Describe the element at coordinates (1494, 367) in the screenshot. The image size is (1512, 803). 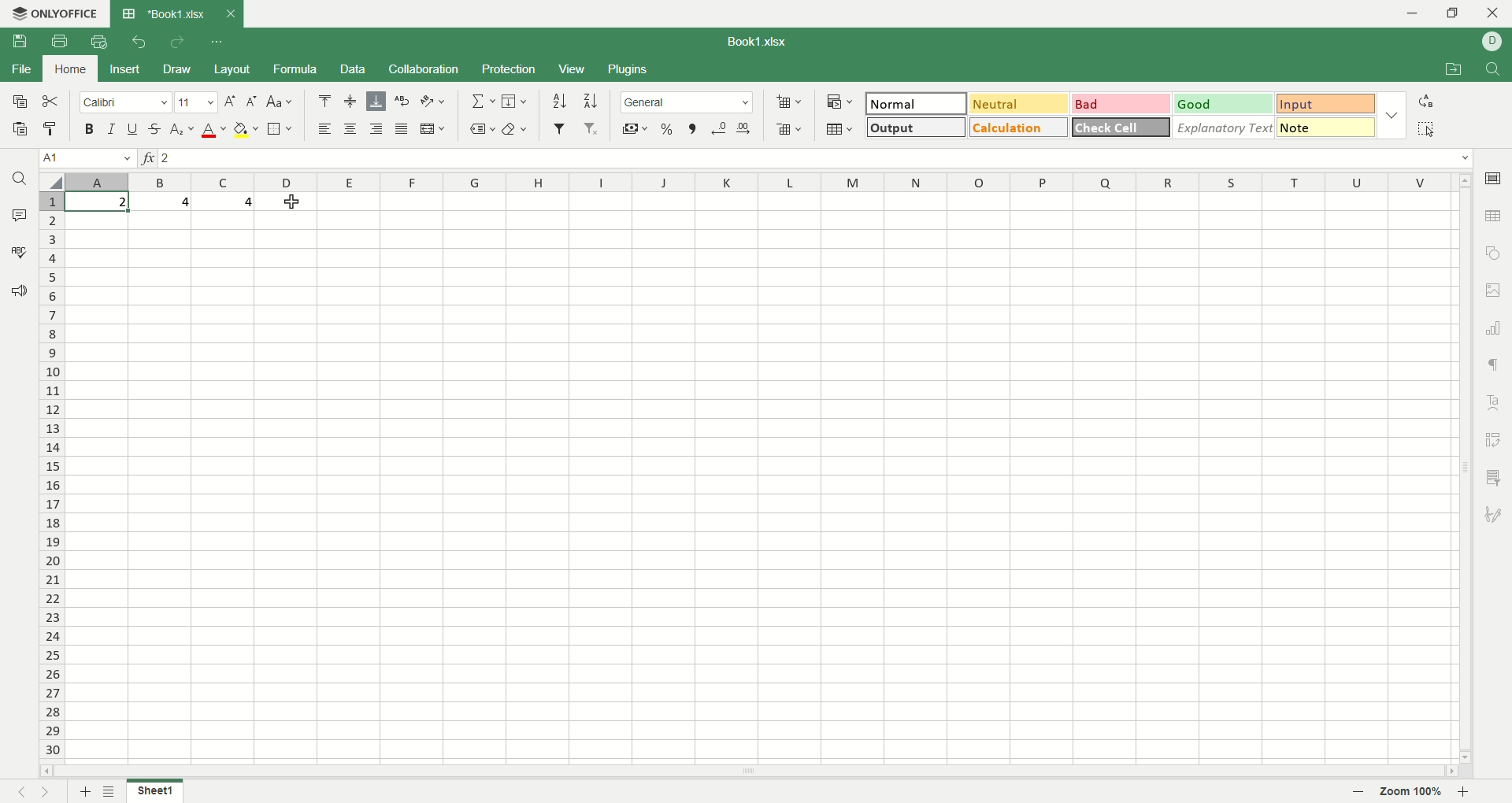
I see `paragraph settings` at that location.